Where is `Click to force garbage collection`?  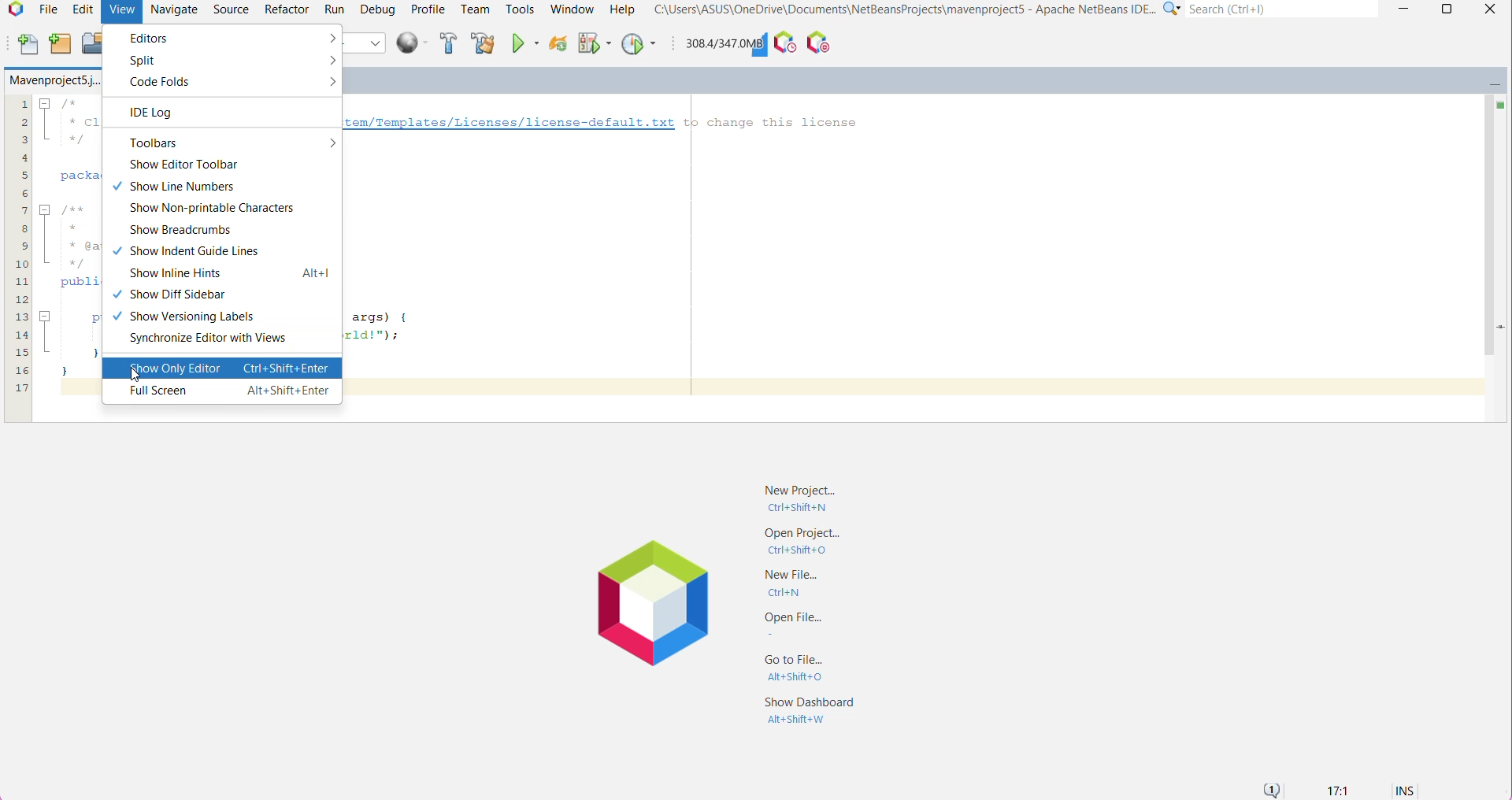 Click to force garbage collection is located at coordinates (724, 43).